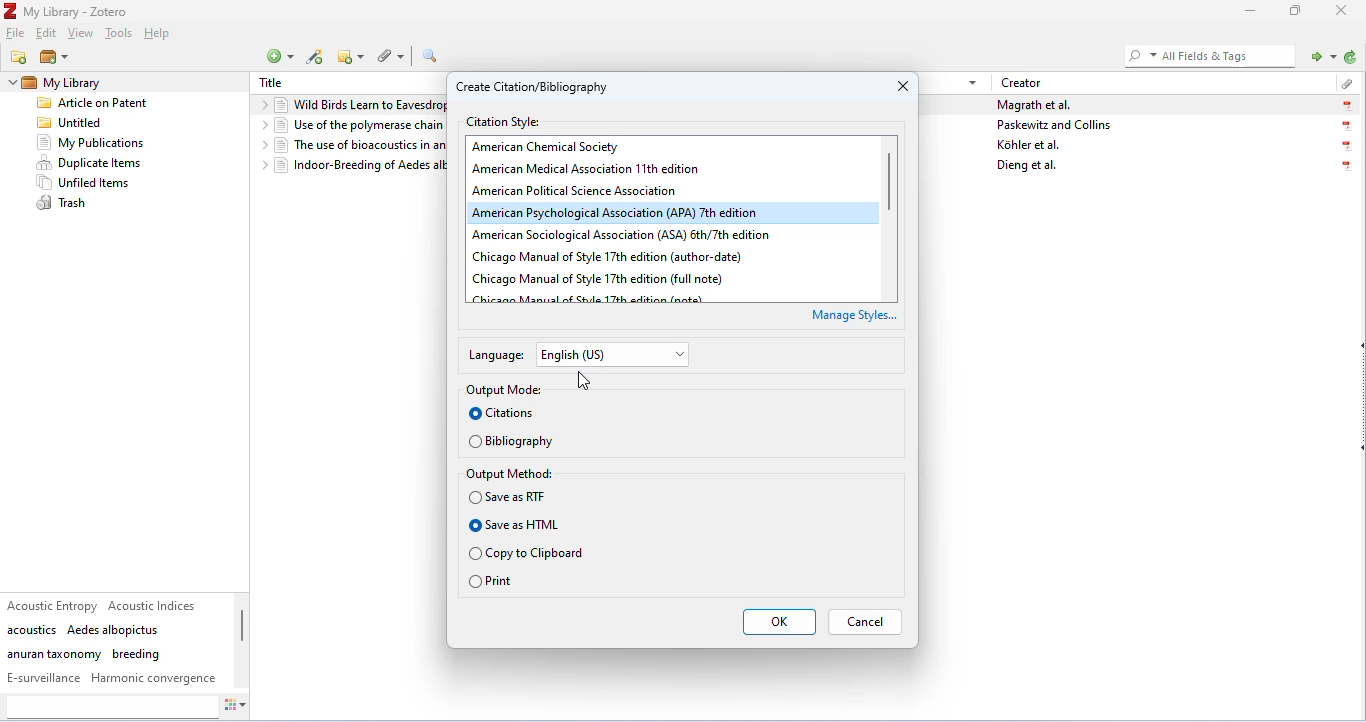  I want to click on add item, so click(317, 58).